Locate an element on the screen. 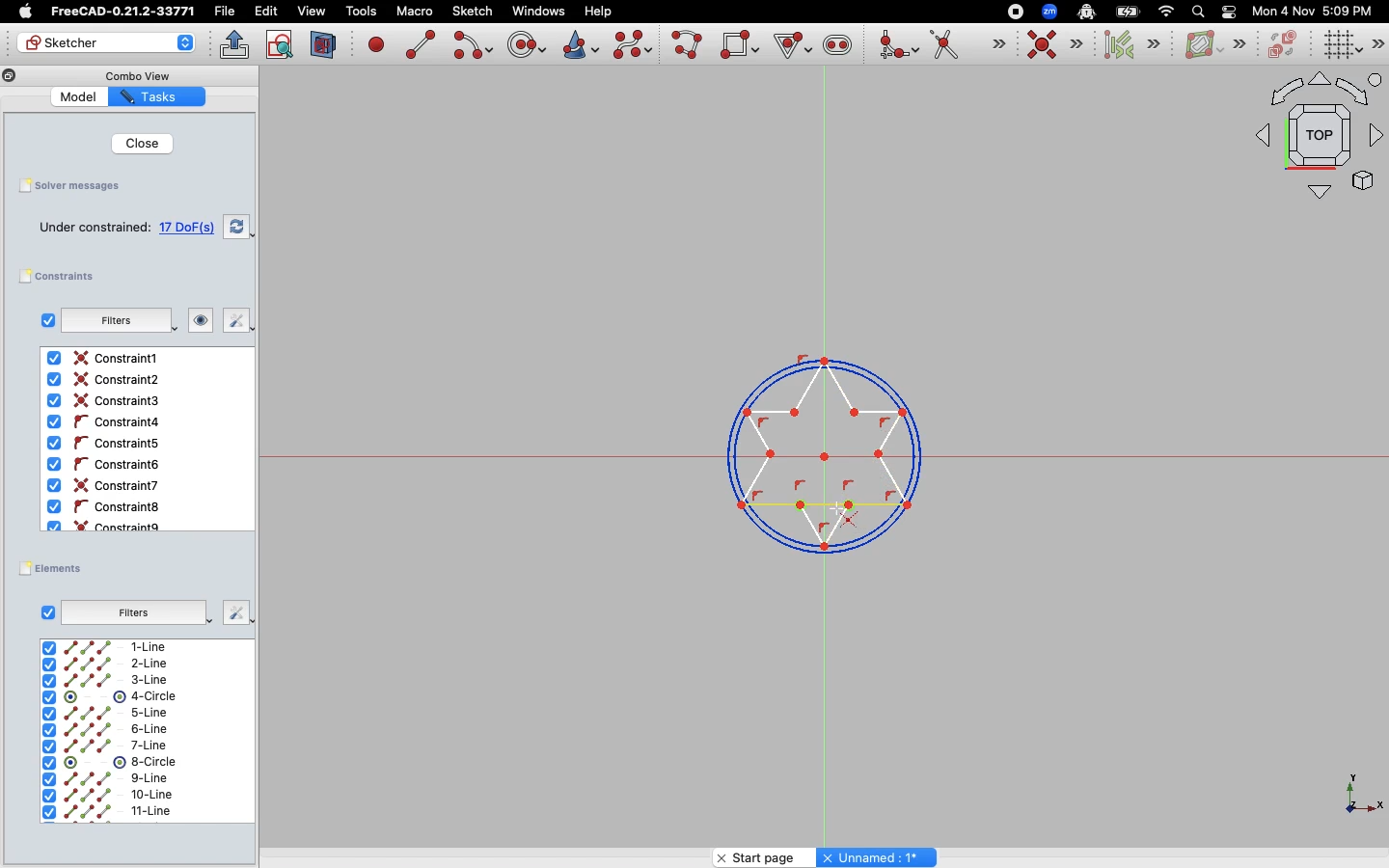  File is located at coordinates (227, 12).